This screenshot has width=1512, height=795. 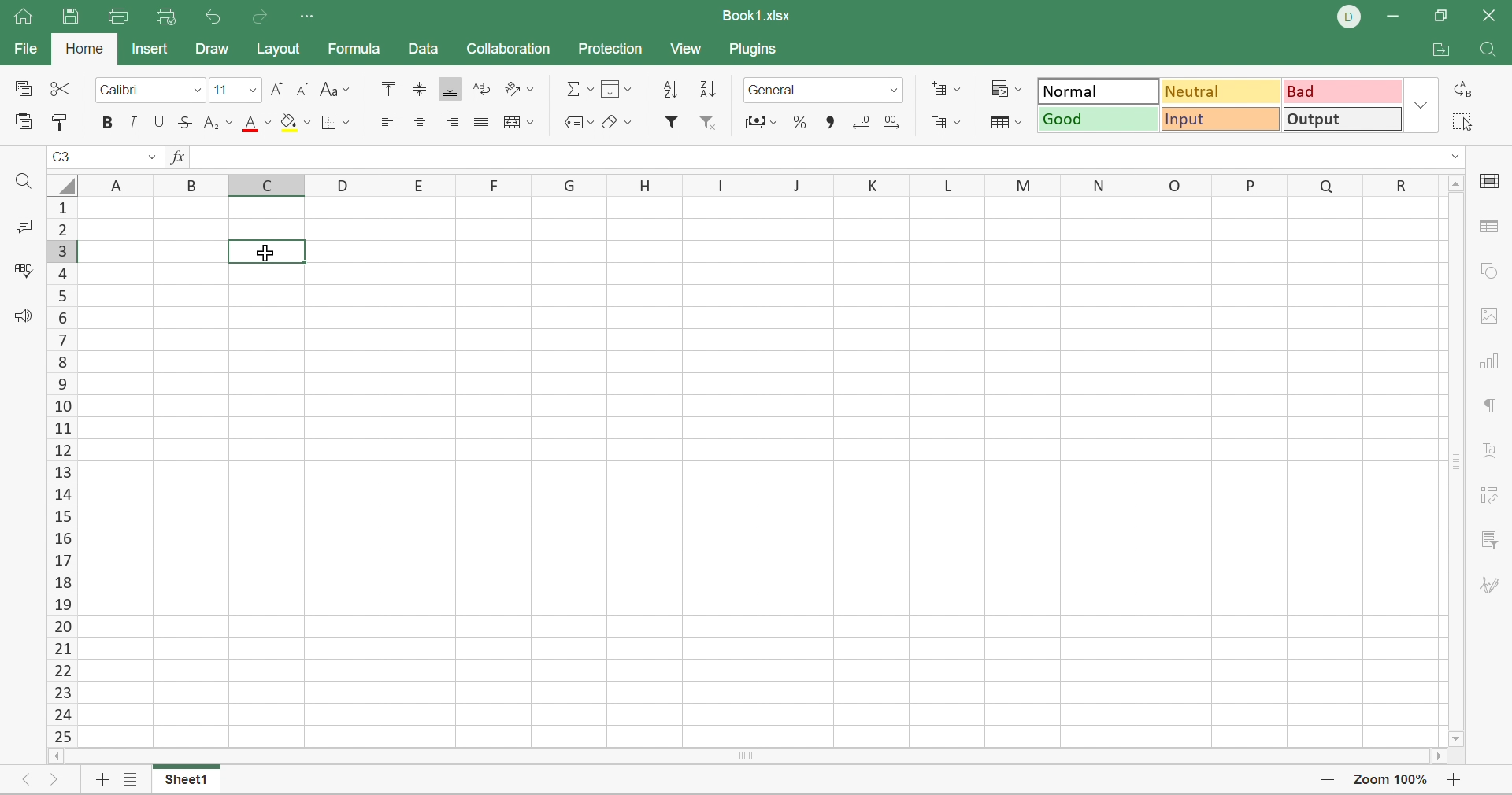 What do you see at coordinates (758, 123) in the screenshot?
I see `Accounting style` at bounding box center [758, 123].